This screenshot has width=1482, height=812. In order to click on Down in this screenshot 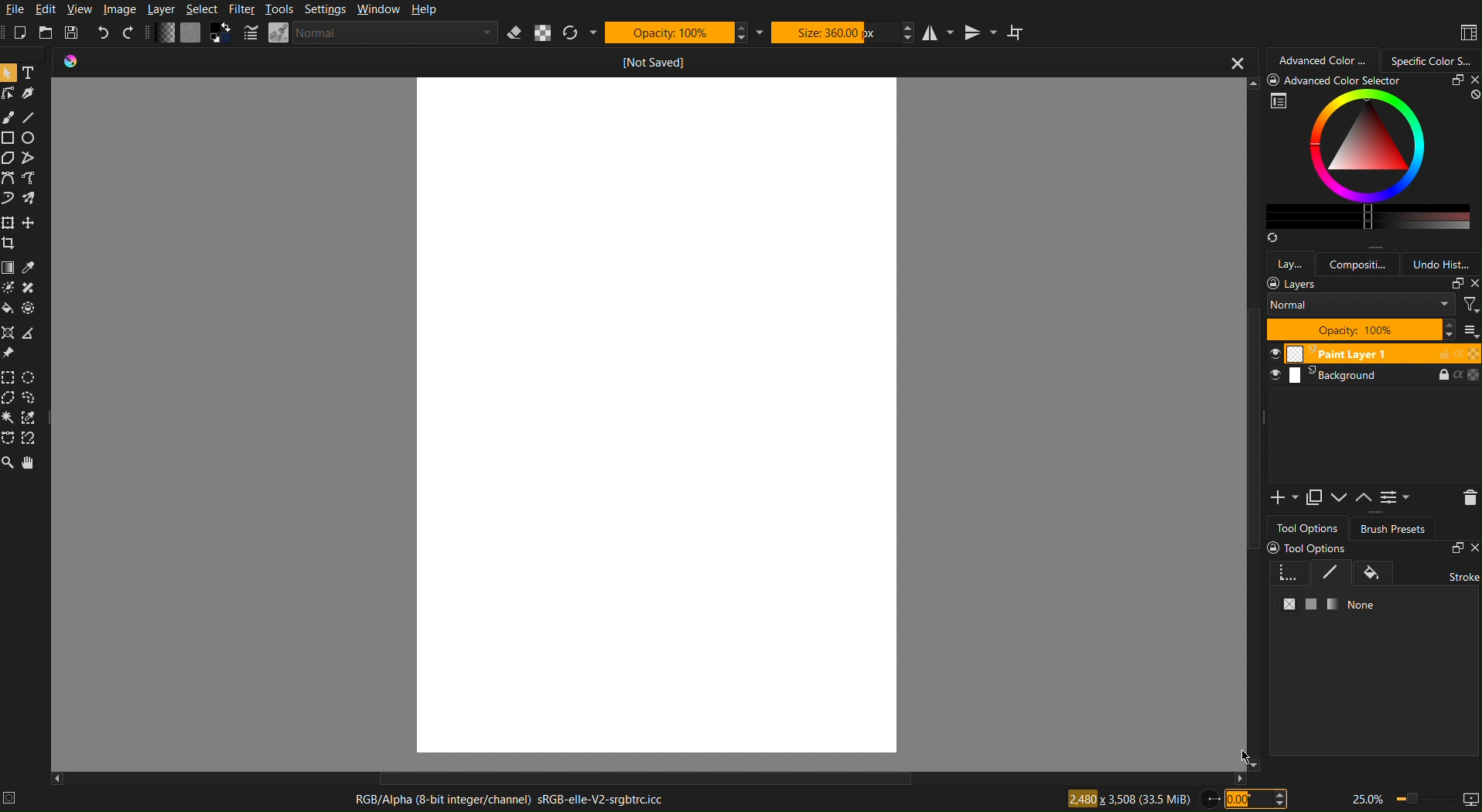, I will do `click(1340, 499)`.